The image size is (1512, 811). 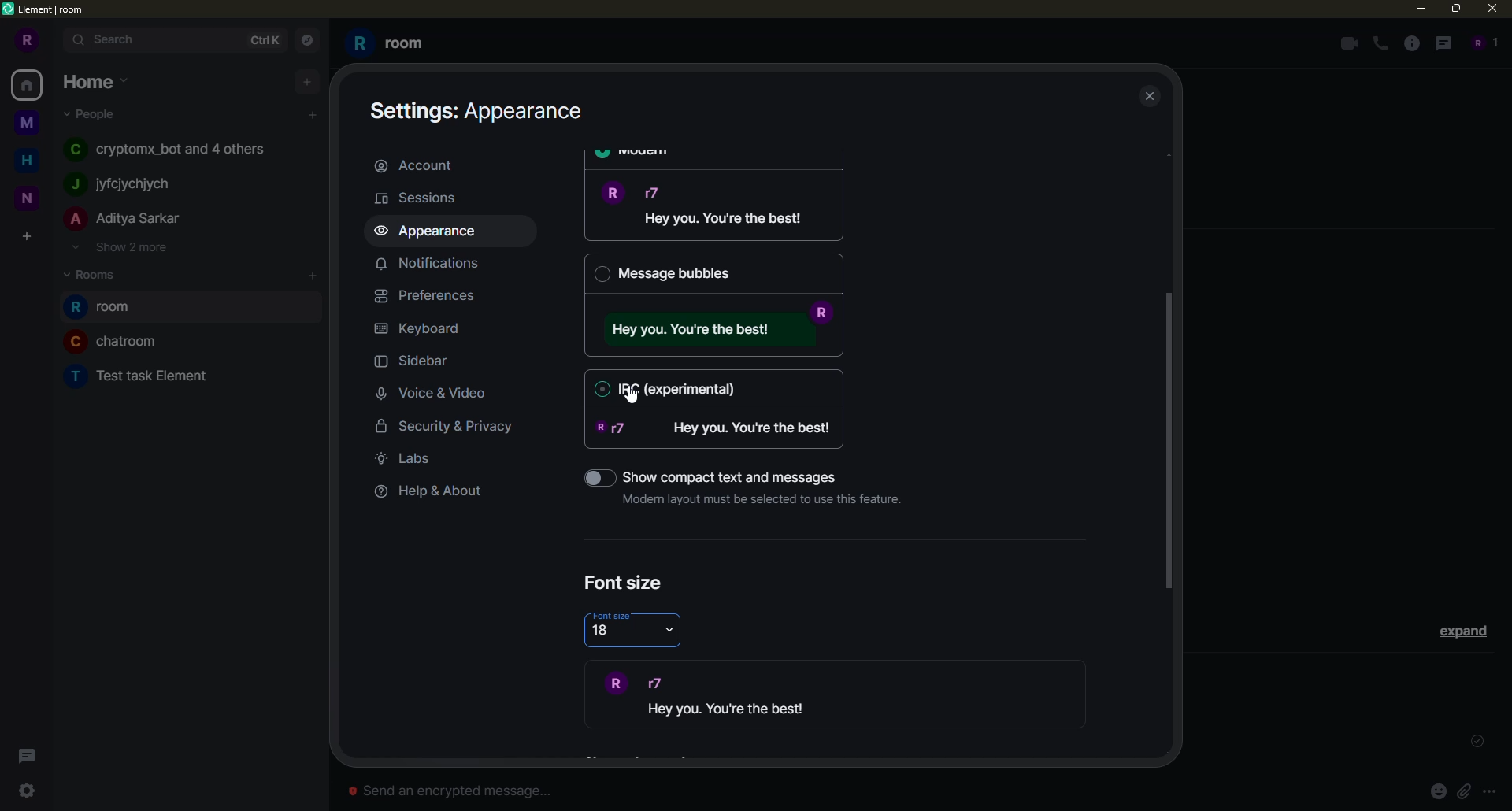 I want to click on close, so click(x=1151, y=98).